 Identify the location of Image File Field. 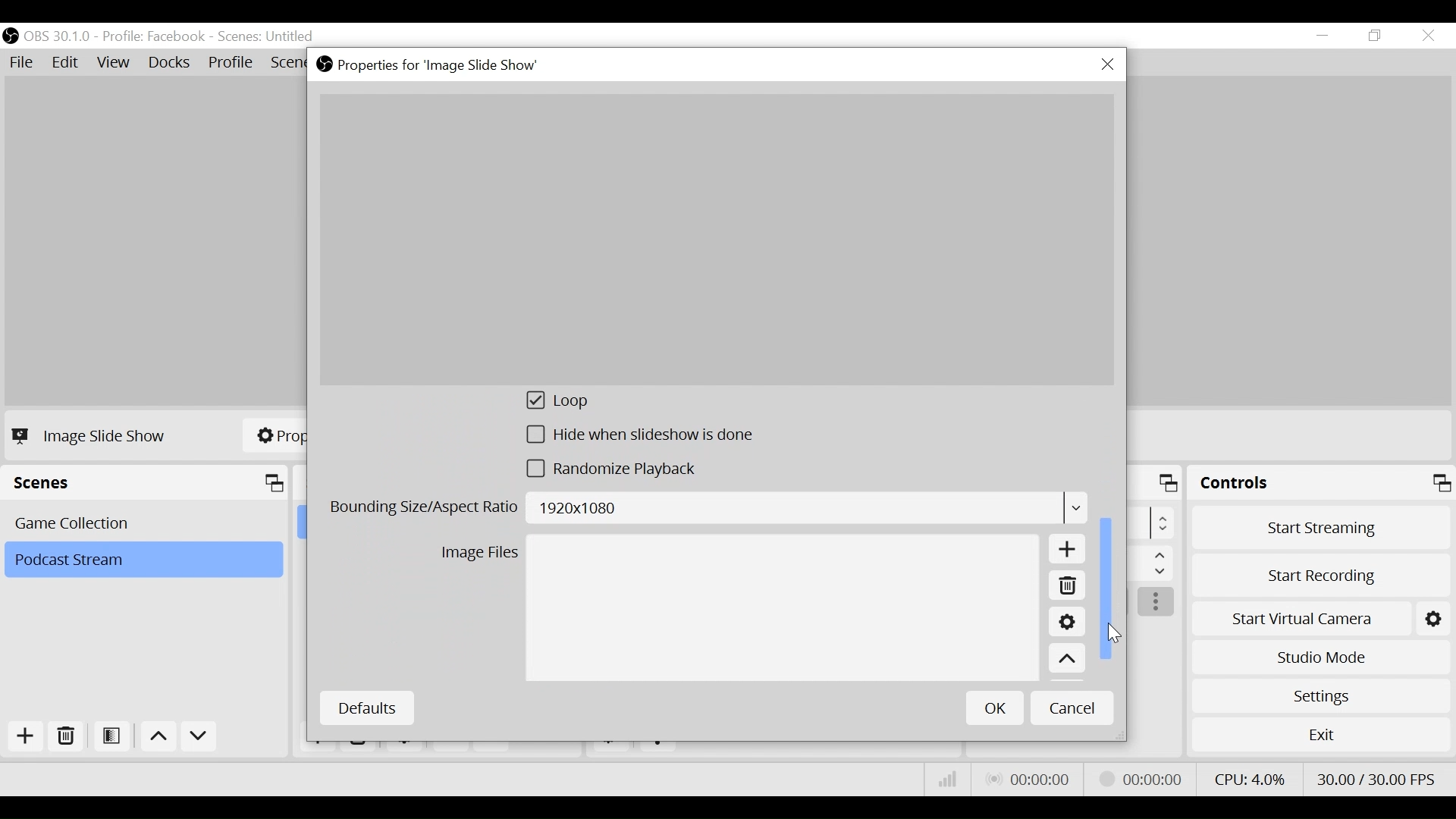
(782, 608).